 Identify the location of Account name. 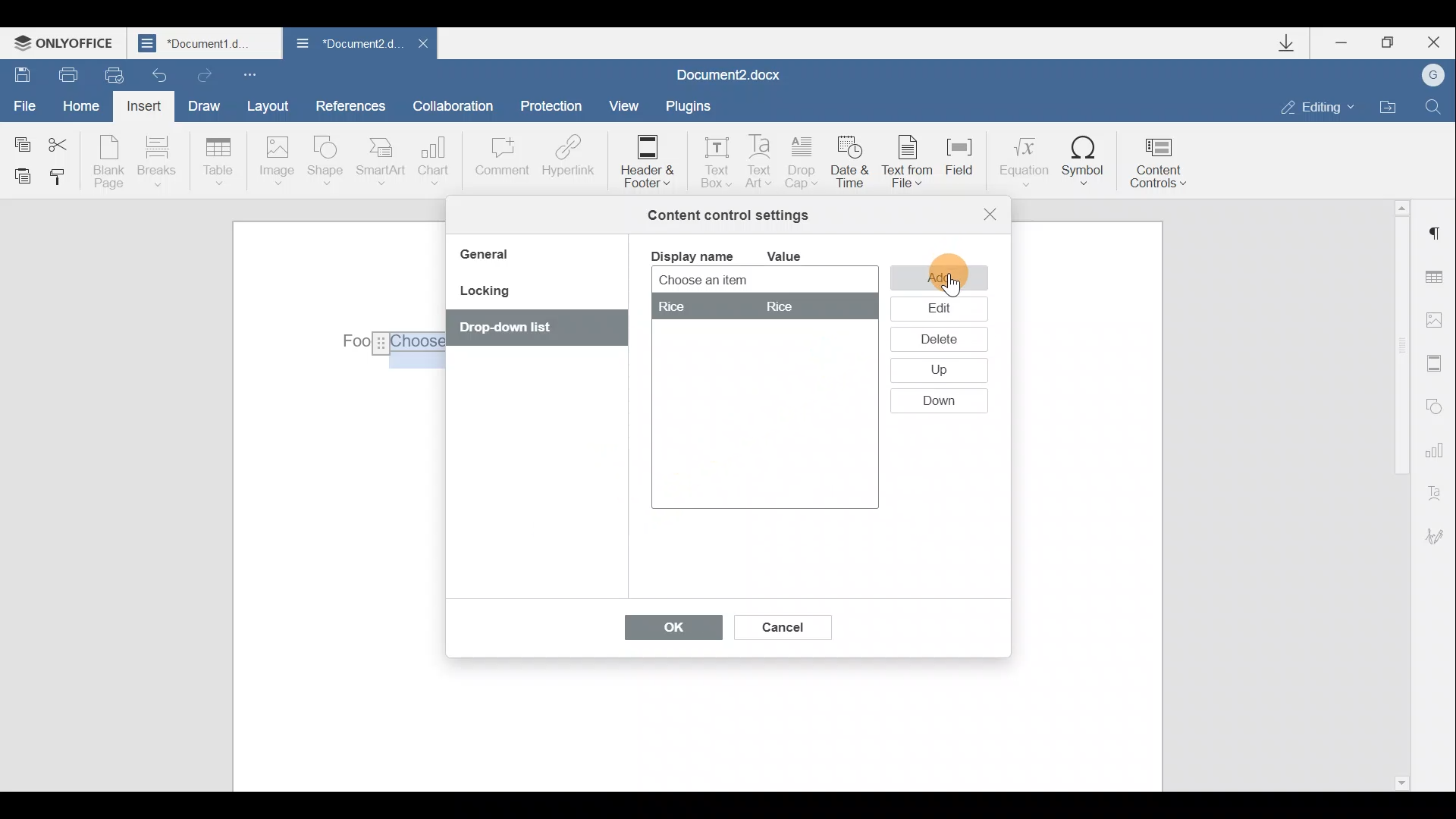
(1428, 76).